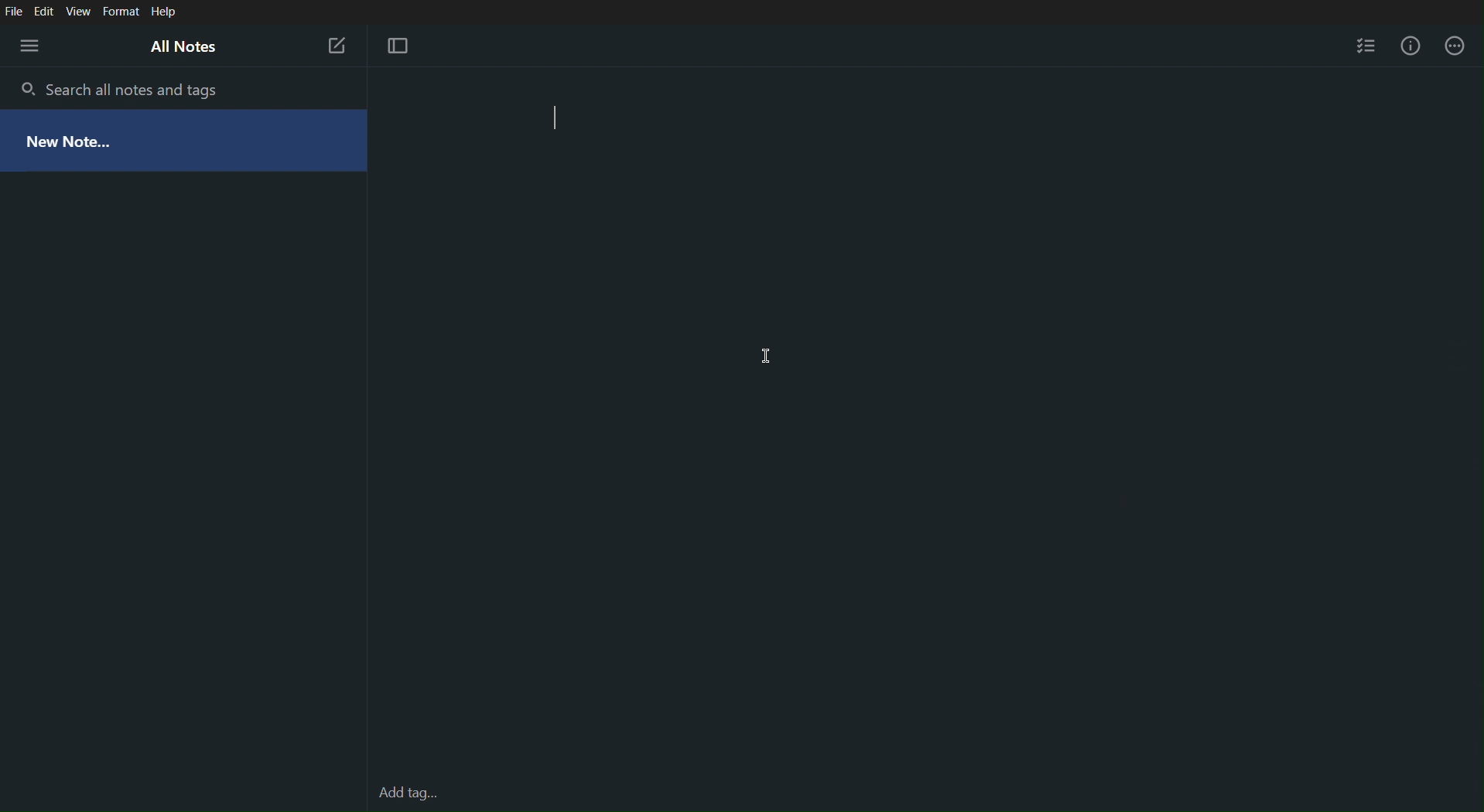 This screenshot has width=1484, height=812. What do you see at coordinates (334, 43) in the screenshot?
I see `New Note` at bounding box center [334, 43].